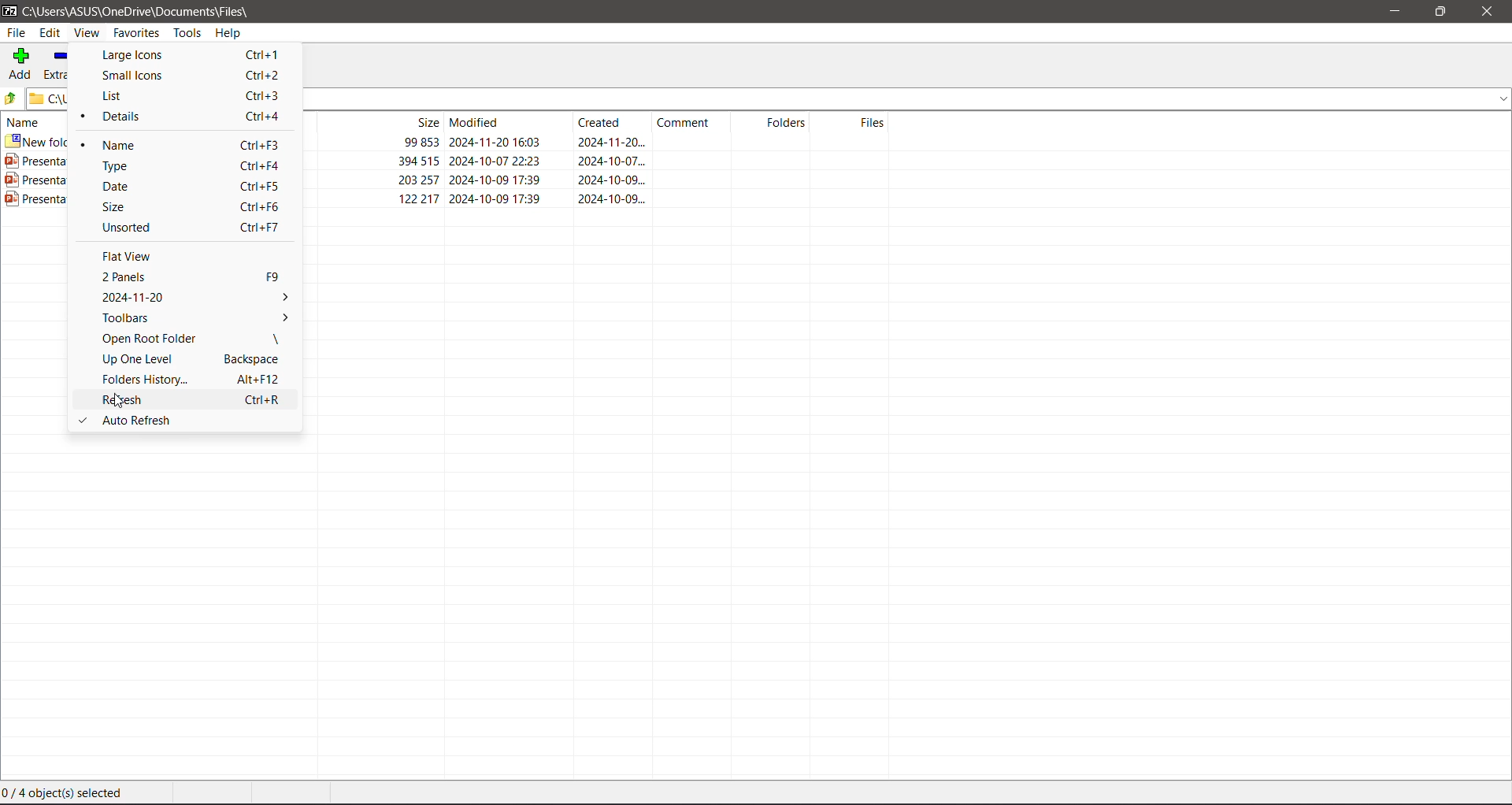 Image resolution: width=1512 pixels, height=805 pixels. What do you see at coordinates (148, 359) in the screenshot?
I see `Up One Level` at bounding box center [148, 359].